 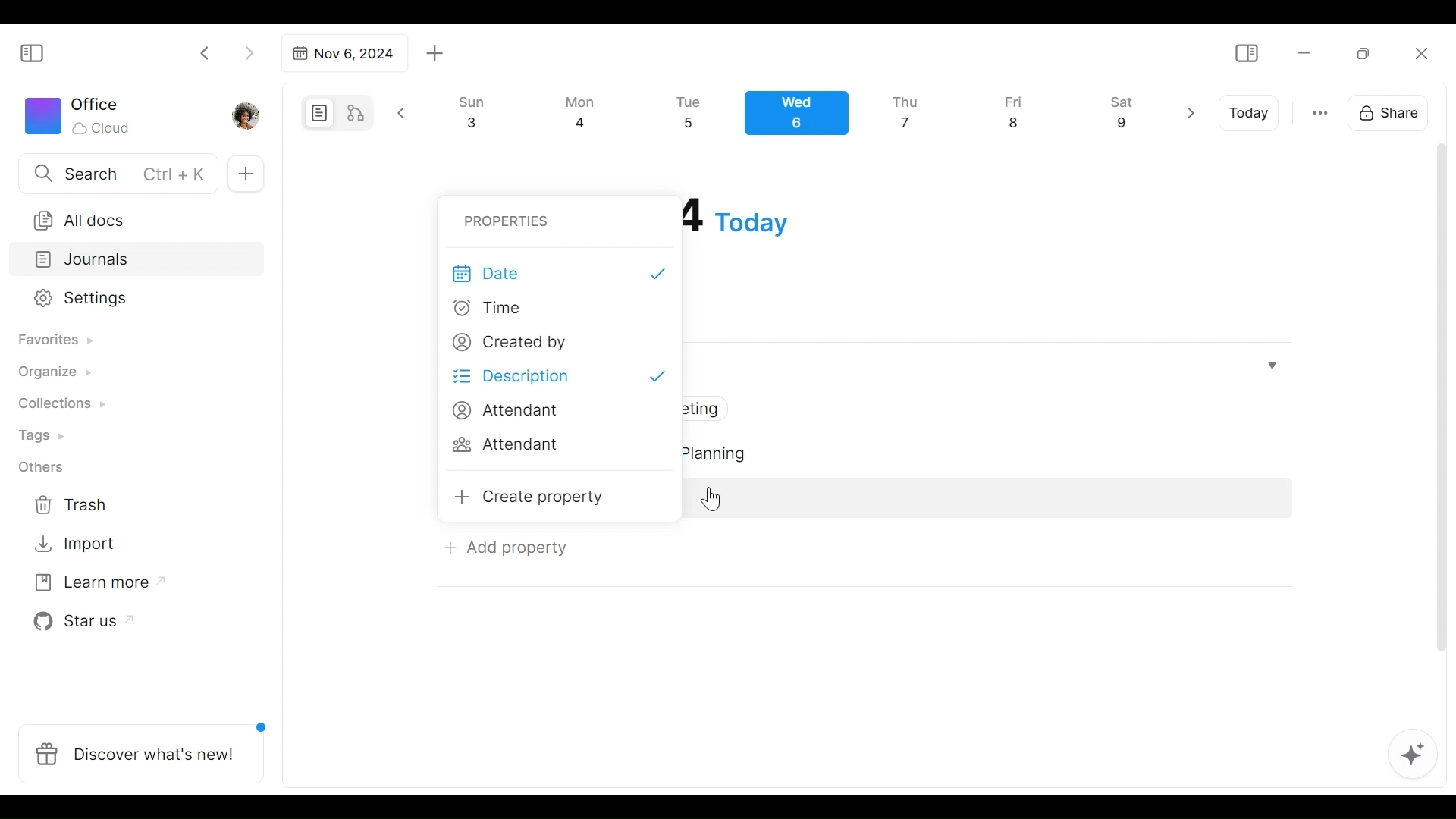 What do you see at coordinates (1320, 111) in the screenshot?
I see `more otions` at bounding box center [1320, 111].